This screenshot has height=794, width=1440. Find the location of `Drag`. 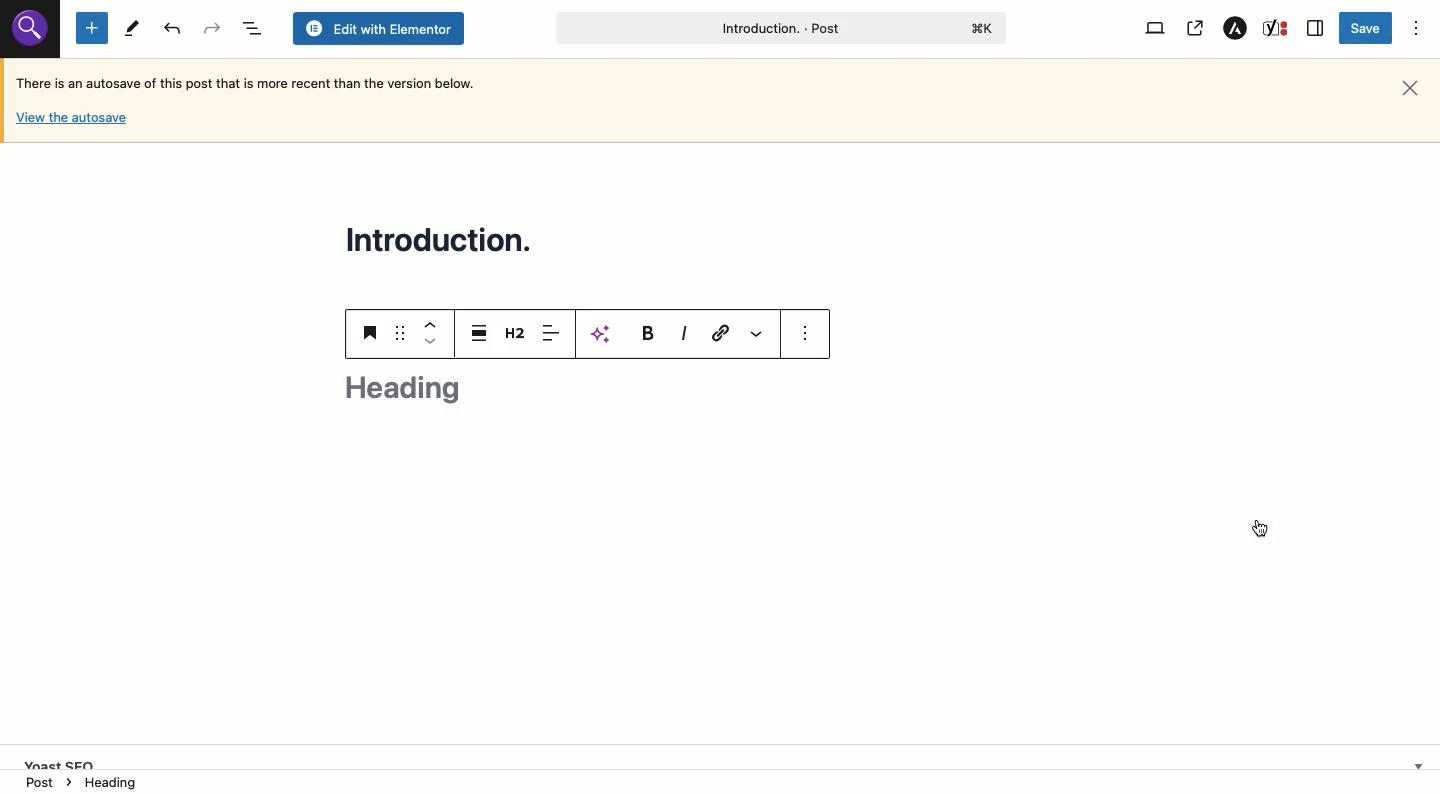

Drag is located at coordinates (401, 332).